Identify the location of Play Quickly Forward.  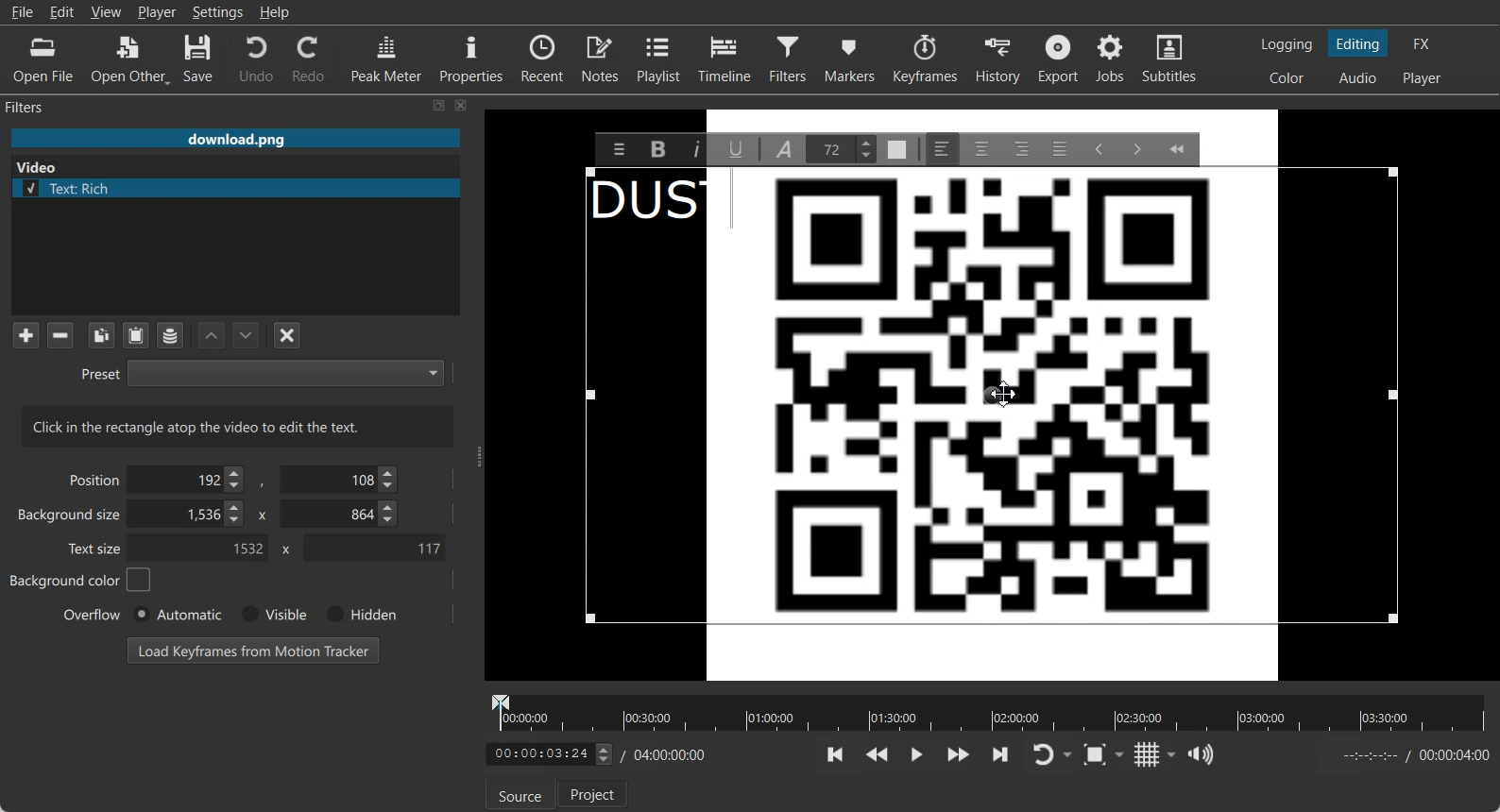
(959, 754).